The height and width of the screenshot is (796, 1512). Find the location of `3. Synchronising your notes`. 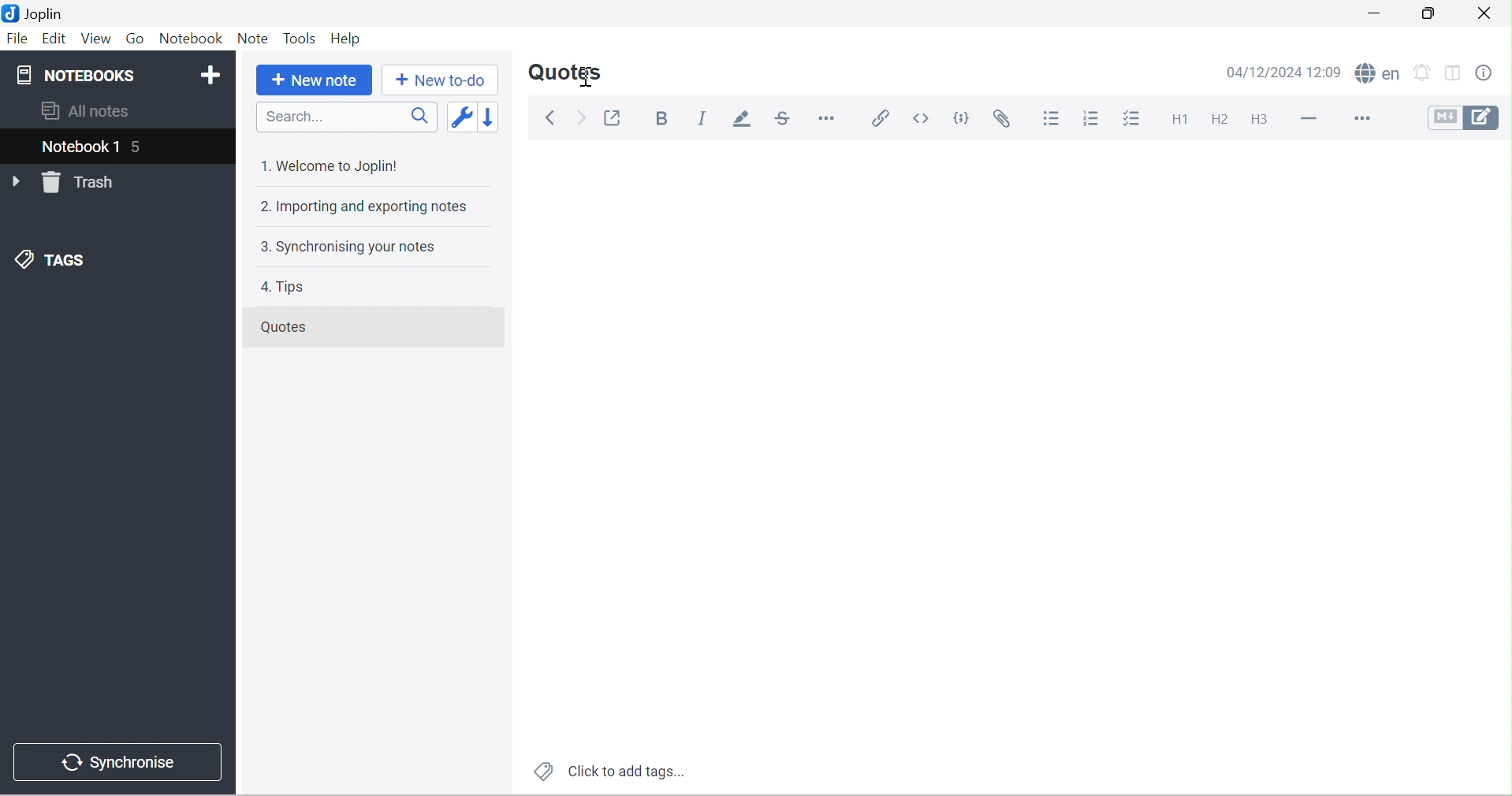

3. Synchronising your notes is located at coordinates (357, 247).